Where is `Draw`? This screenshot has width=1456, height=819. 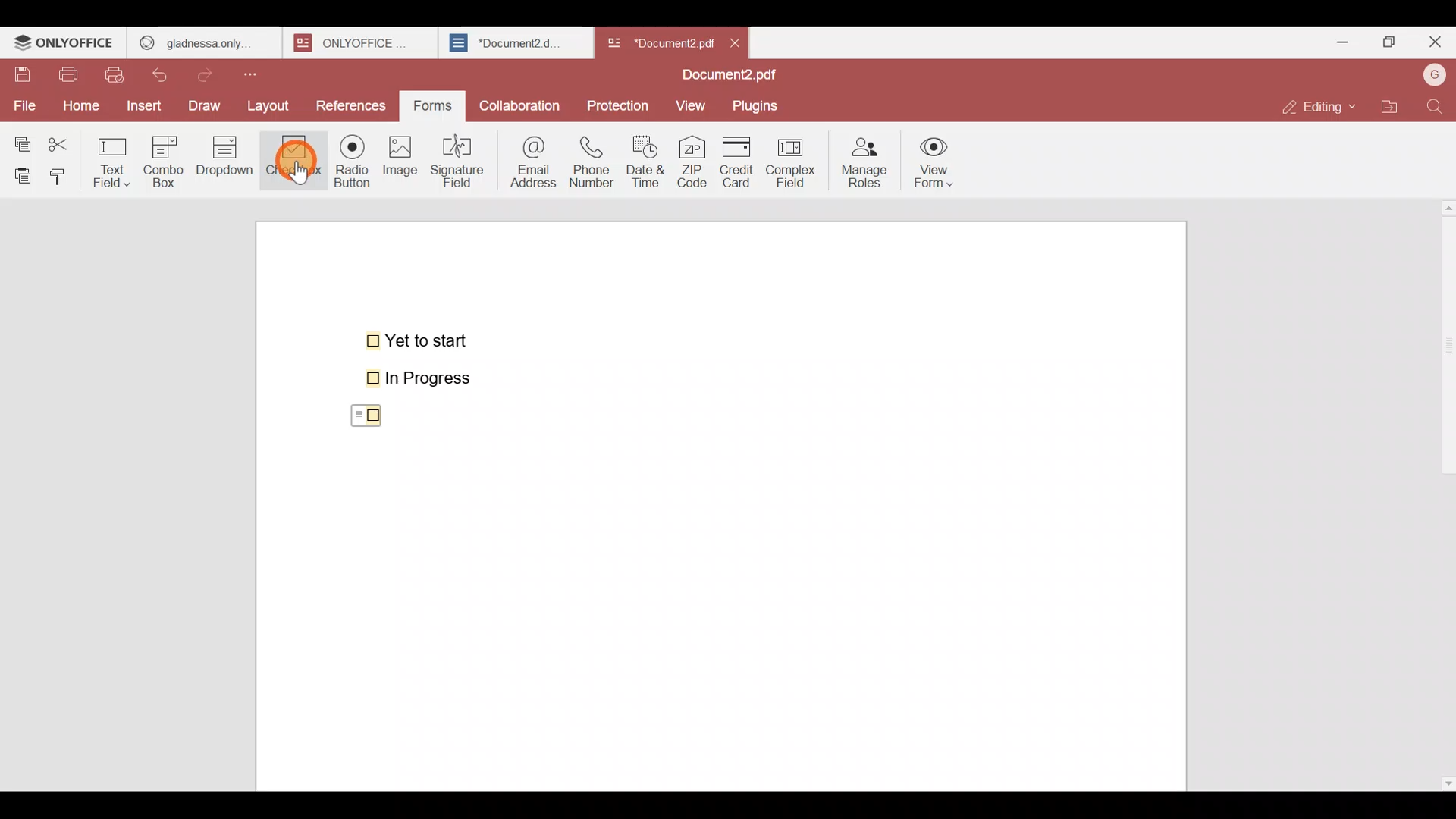 Draw is located at coordinates (209, 104).